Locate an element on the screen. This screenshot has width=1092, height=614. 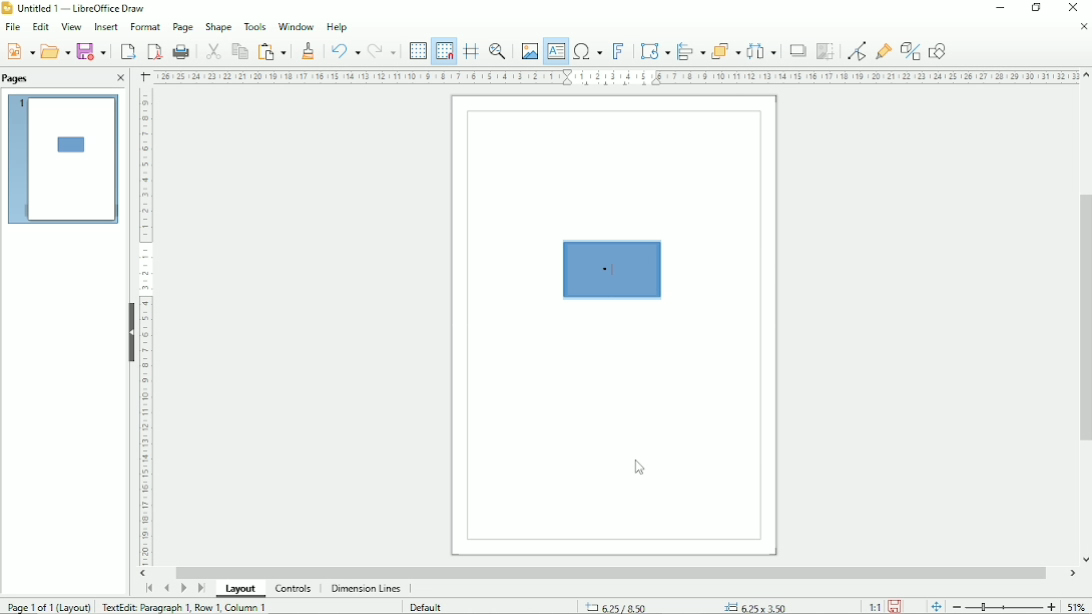
Scroll to next page is located at coordinates (183, 588).